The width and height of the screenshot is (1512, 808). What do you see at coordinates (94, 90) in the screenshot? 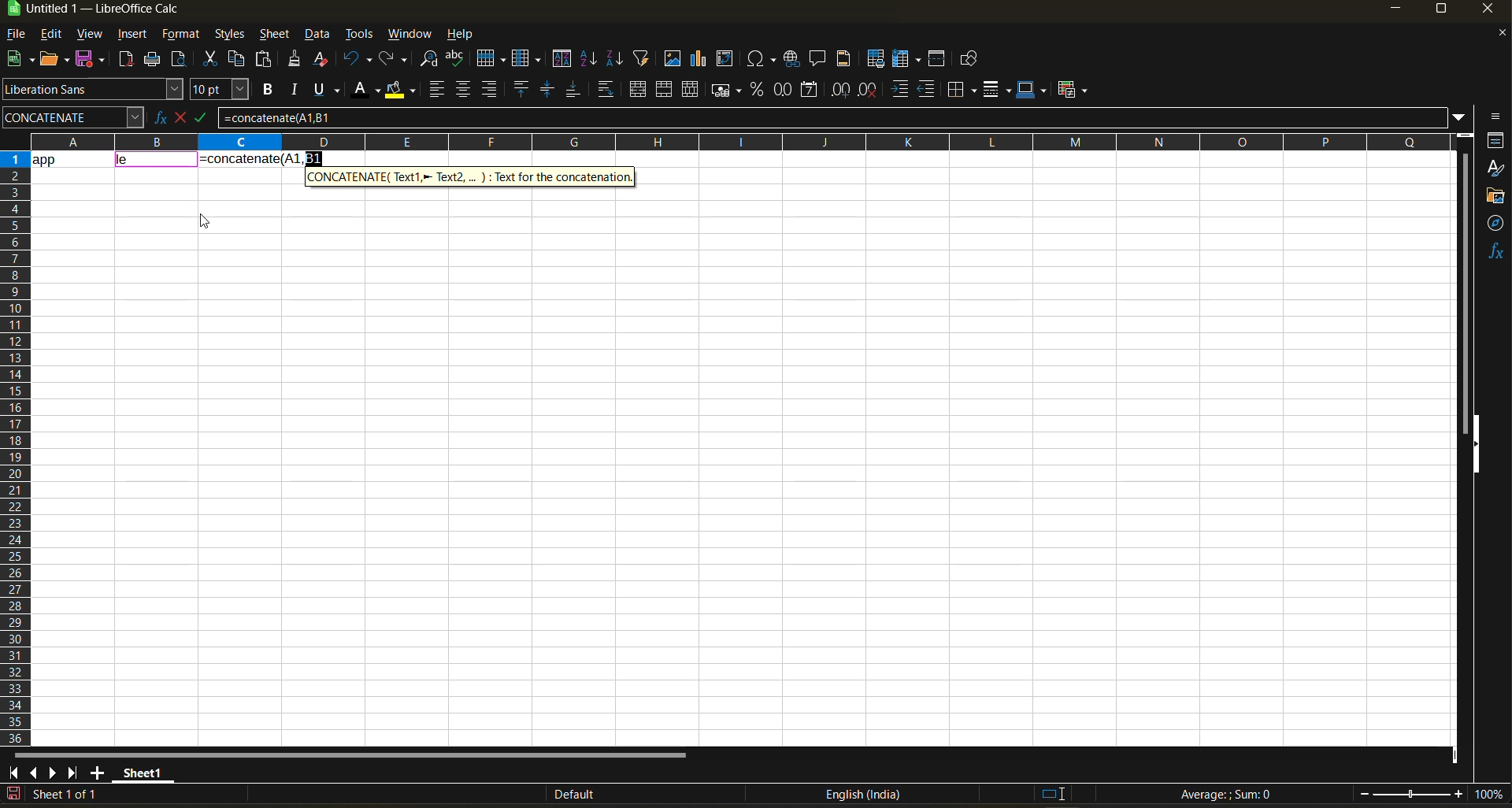
I see `font name` at bounding box center [94, 90].